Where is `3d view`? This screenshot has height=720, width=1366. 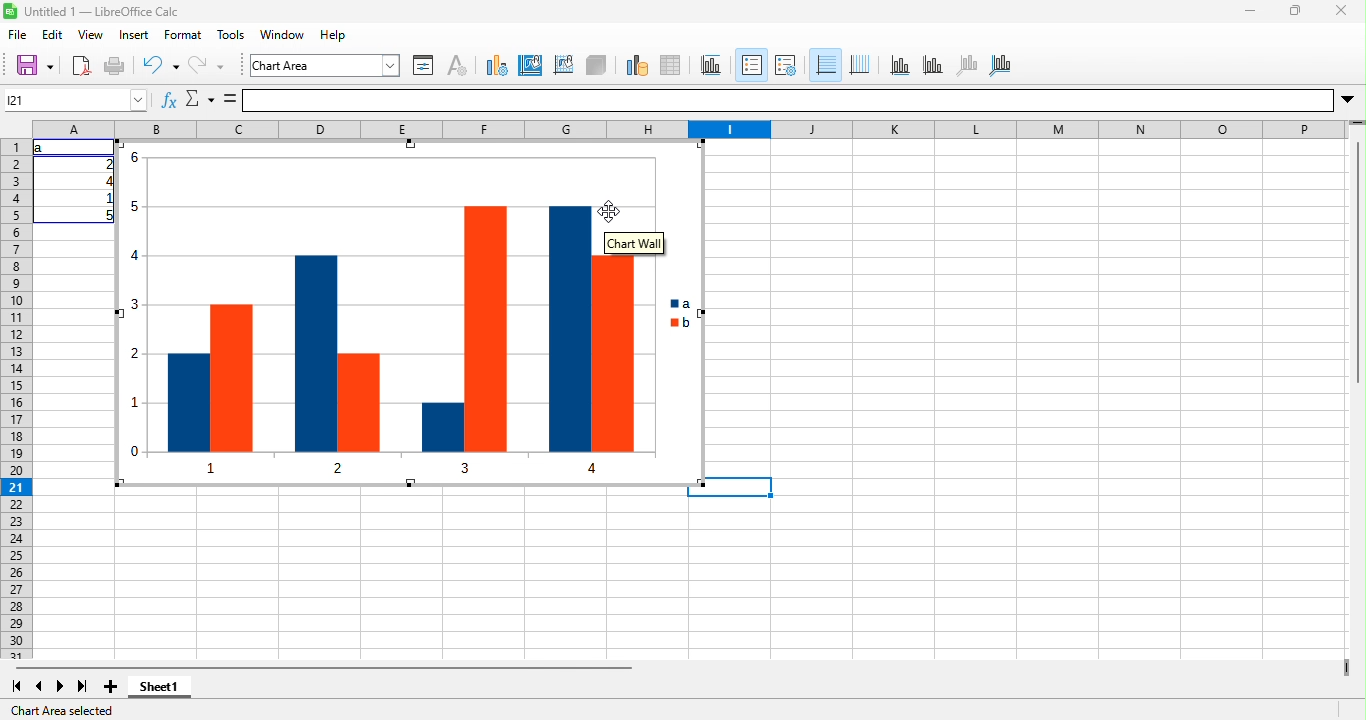
3d view is located at coordinates (596, 67).